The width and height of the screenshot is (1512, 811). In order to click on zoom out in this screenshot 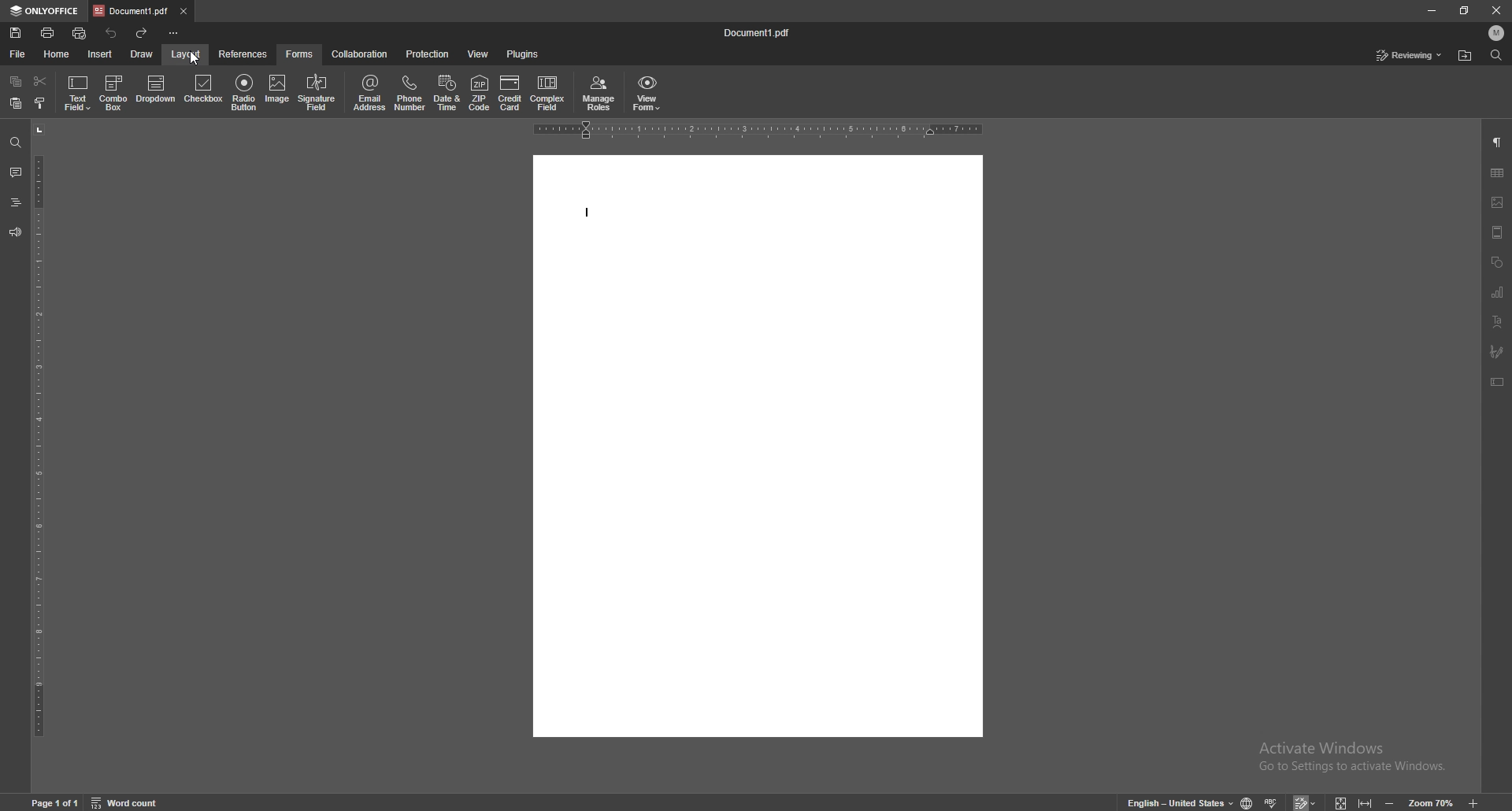, I will do `click(1391, 803)`.